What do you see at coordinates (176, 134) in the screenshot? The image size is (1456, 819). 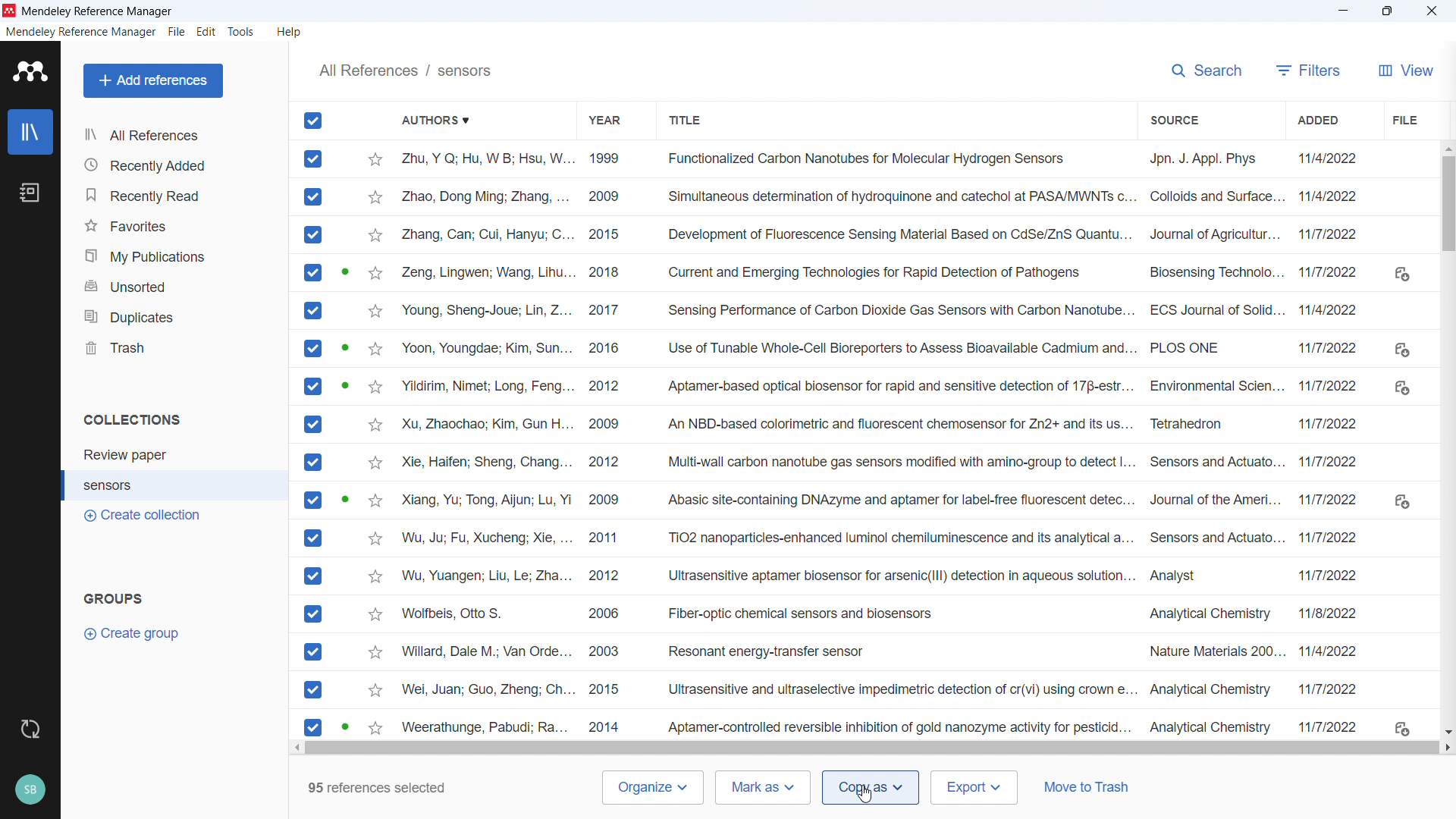 I see `all references` at bounding box center [176, 134].